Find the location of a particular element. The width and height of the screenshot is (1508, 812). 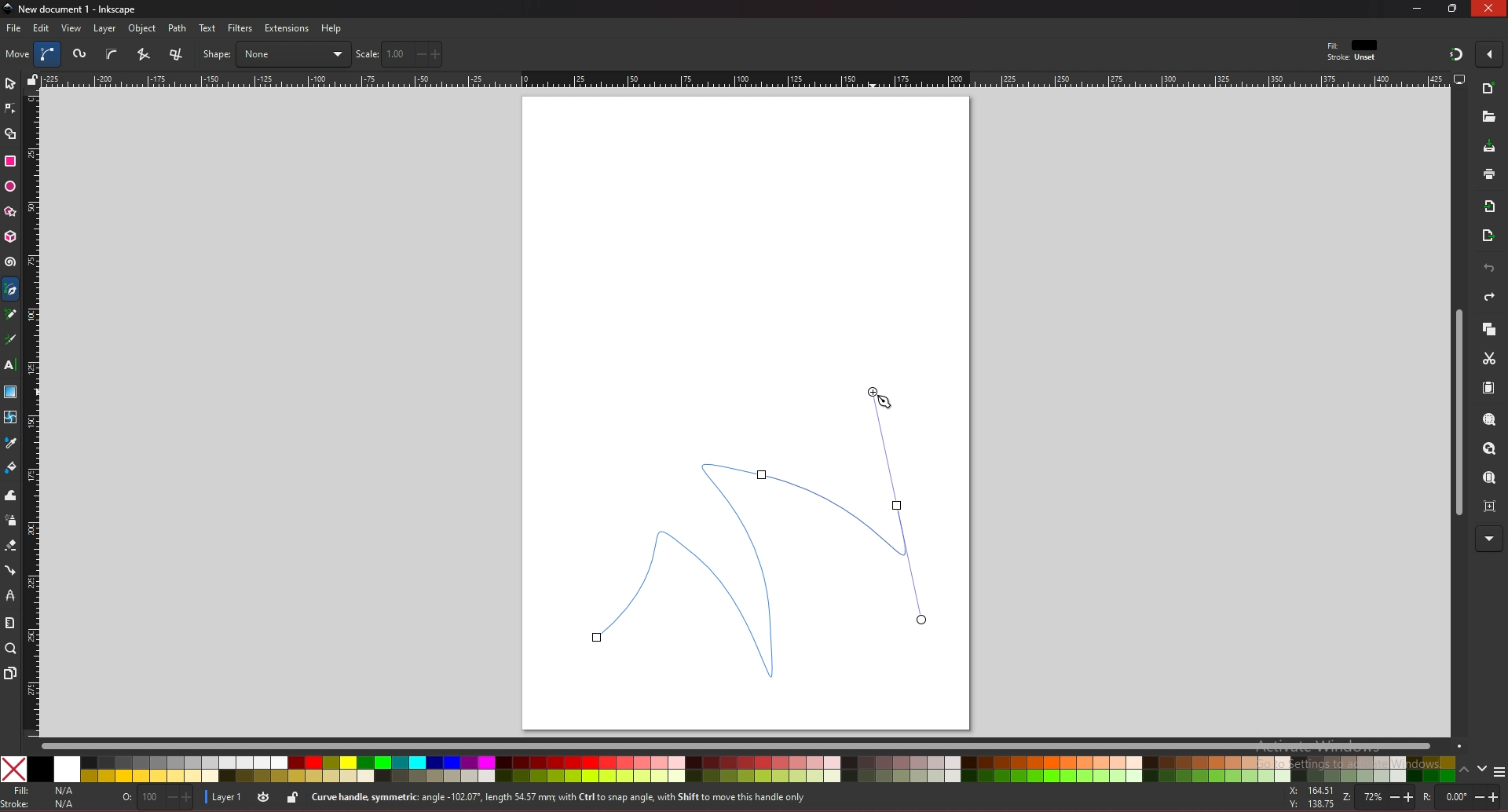

fit is located at coordinates (1354, 46).